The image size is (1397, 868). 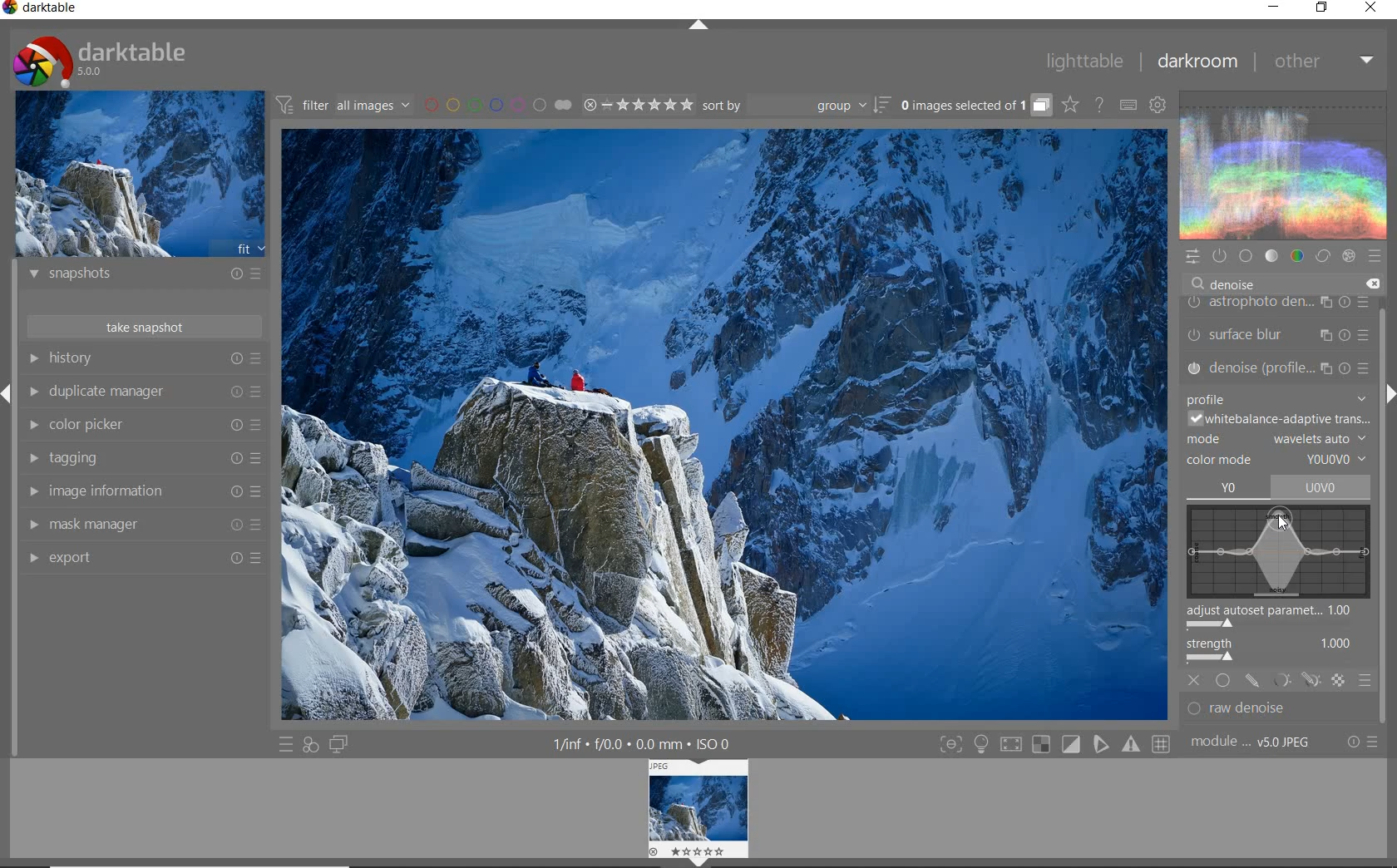 I want to click on quick access for applying any of your styles, so click(x=311, y=747).